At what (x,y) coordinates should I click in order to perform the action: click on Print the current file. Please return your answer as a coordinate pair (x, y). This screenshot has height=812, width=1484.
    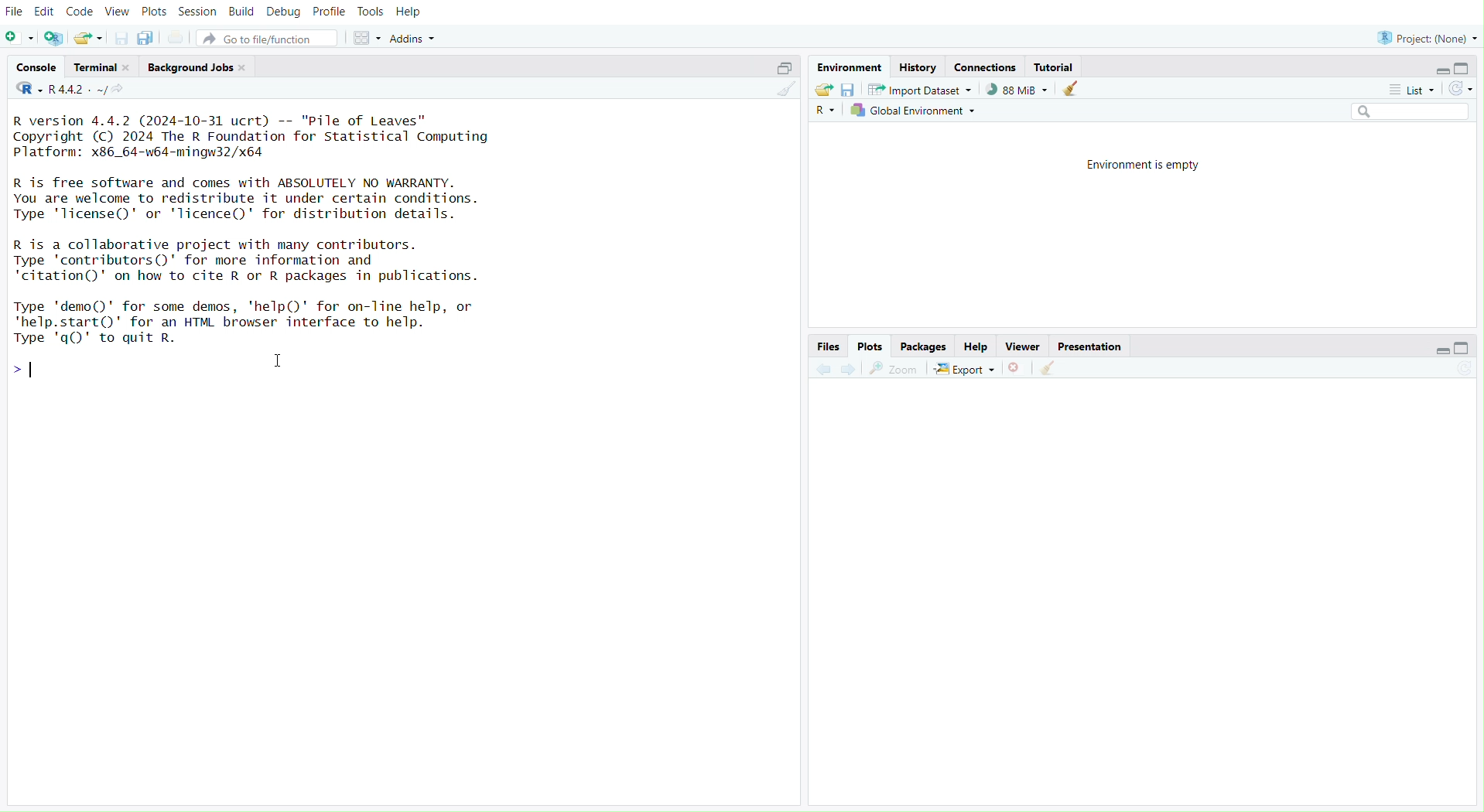
    Looking at the image, I should click on (180, 37).